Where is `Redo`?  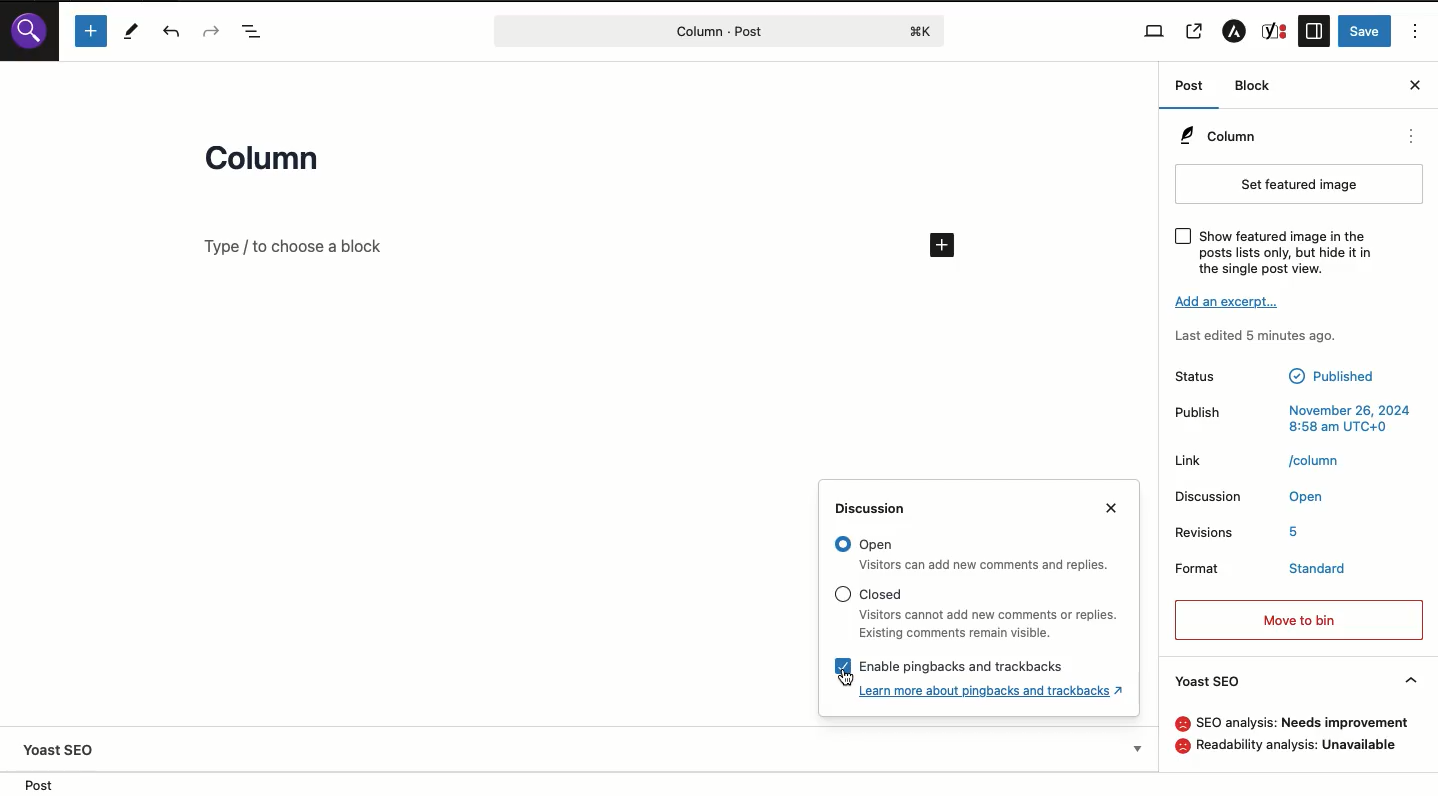 Redo is located at coordinates (212, 30).